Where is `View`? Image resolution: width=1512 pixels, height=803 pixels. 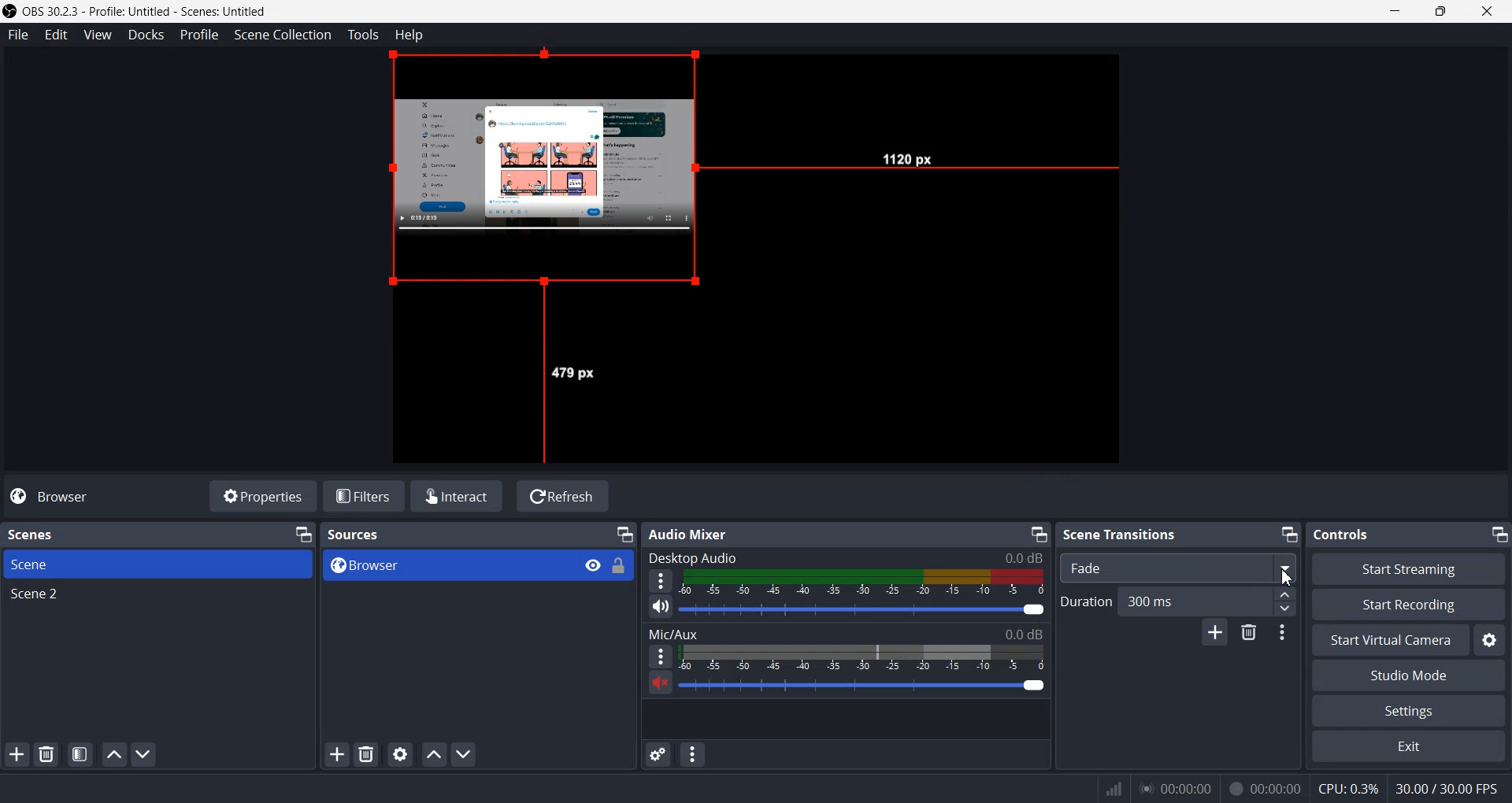 View is located at coordinates (592, 564).